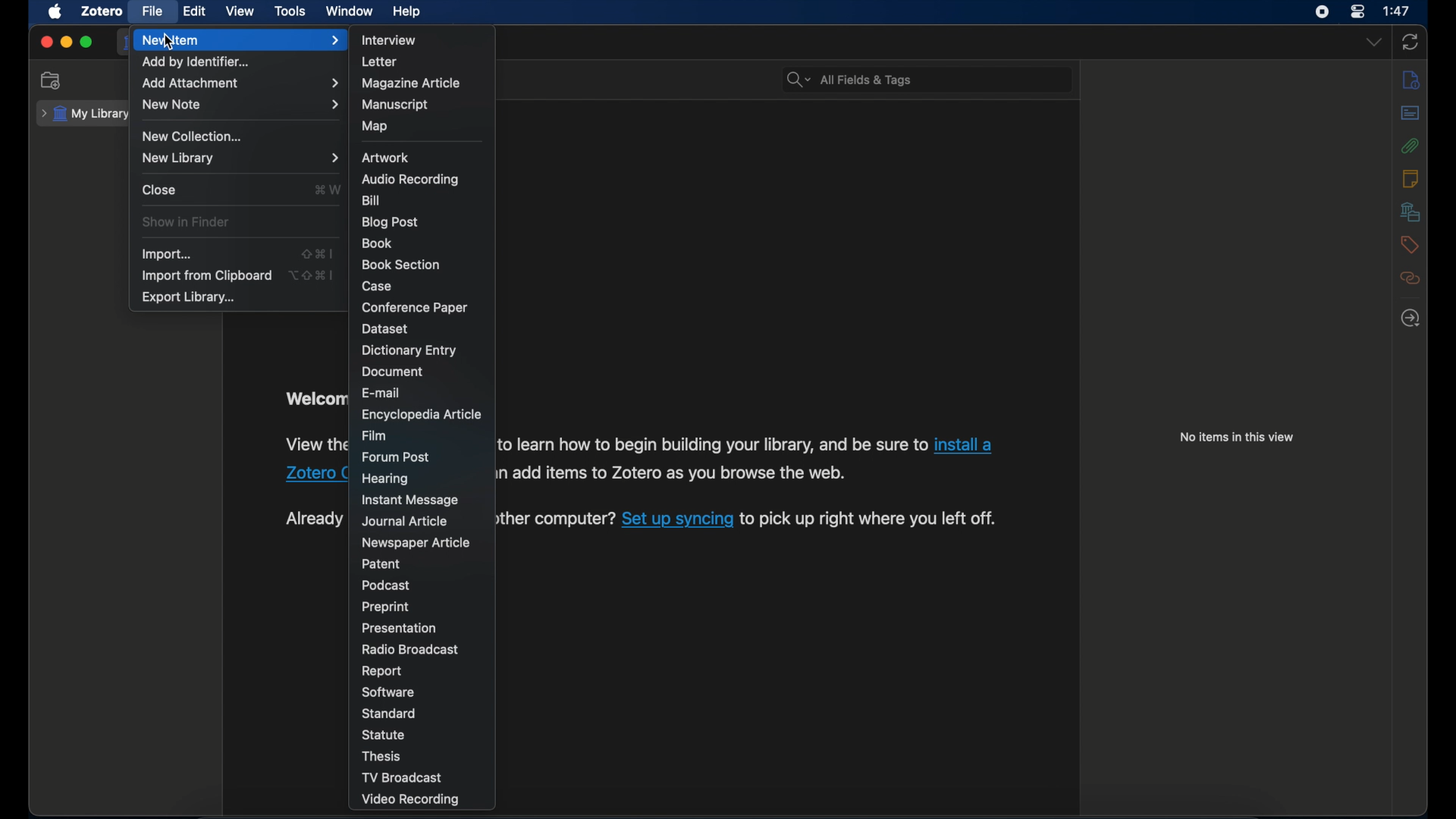 This screenshot has width=1456, height=819. What do you see at coordinates (384, 328) in the screenshot?
I see `dataset` at bounding box center [384, 328].